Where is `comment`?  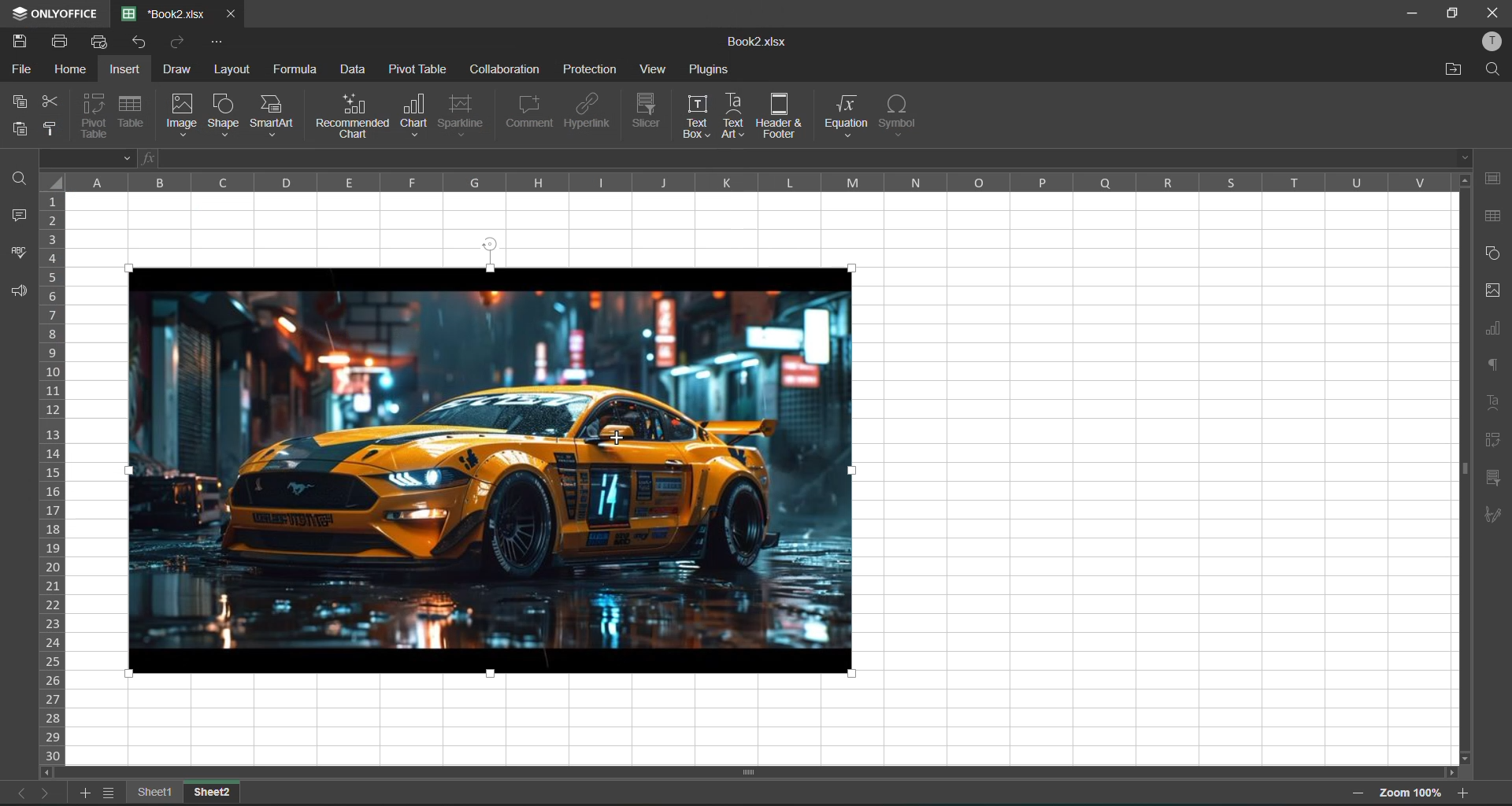 comment is located at coordinates (530, 112).